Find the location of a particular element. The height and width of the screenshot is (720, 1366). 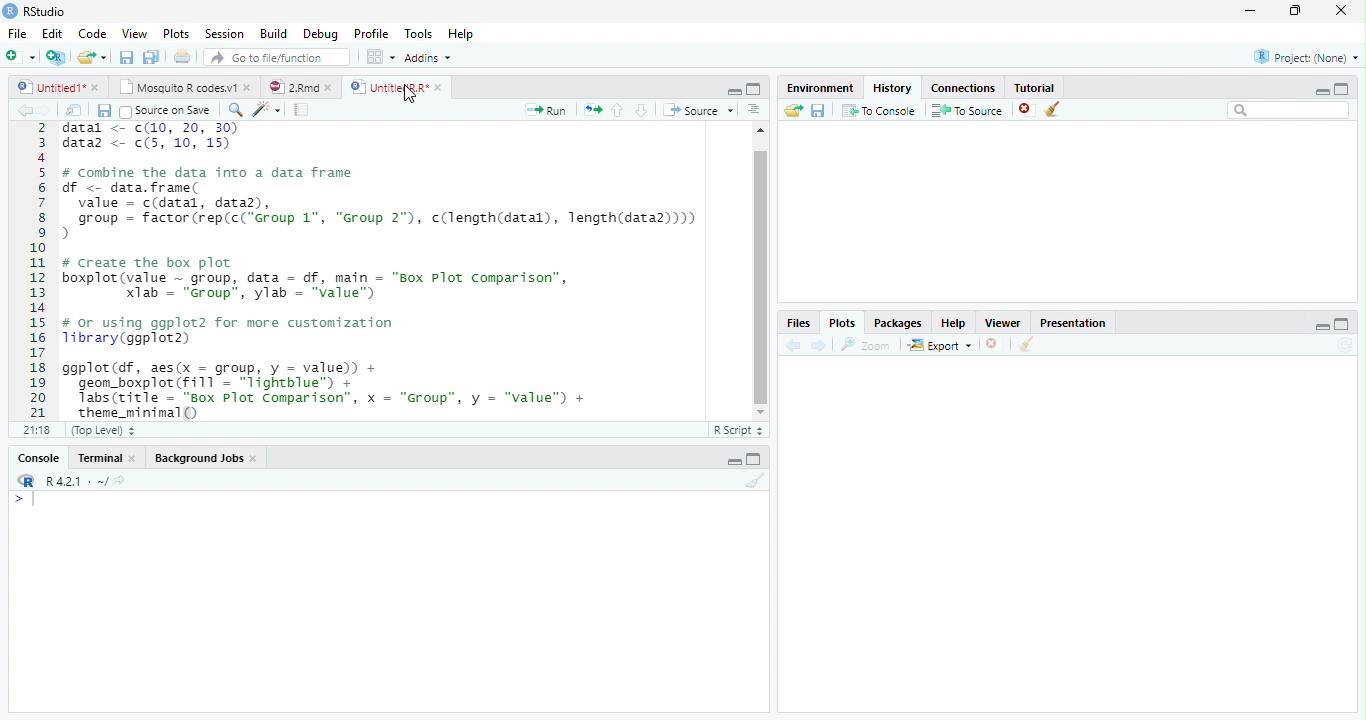

Compile Report is located at coordinates (302, 109).